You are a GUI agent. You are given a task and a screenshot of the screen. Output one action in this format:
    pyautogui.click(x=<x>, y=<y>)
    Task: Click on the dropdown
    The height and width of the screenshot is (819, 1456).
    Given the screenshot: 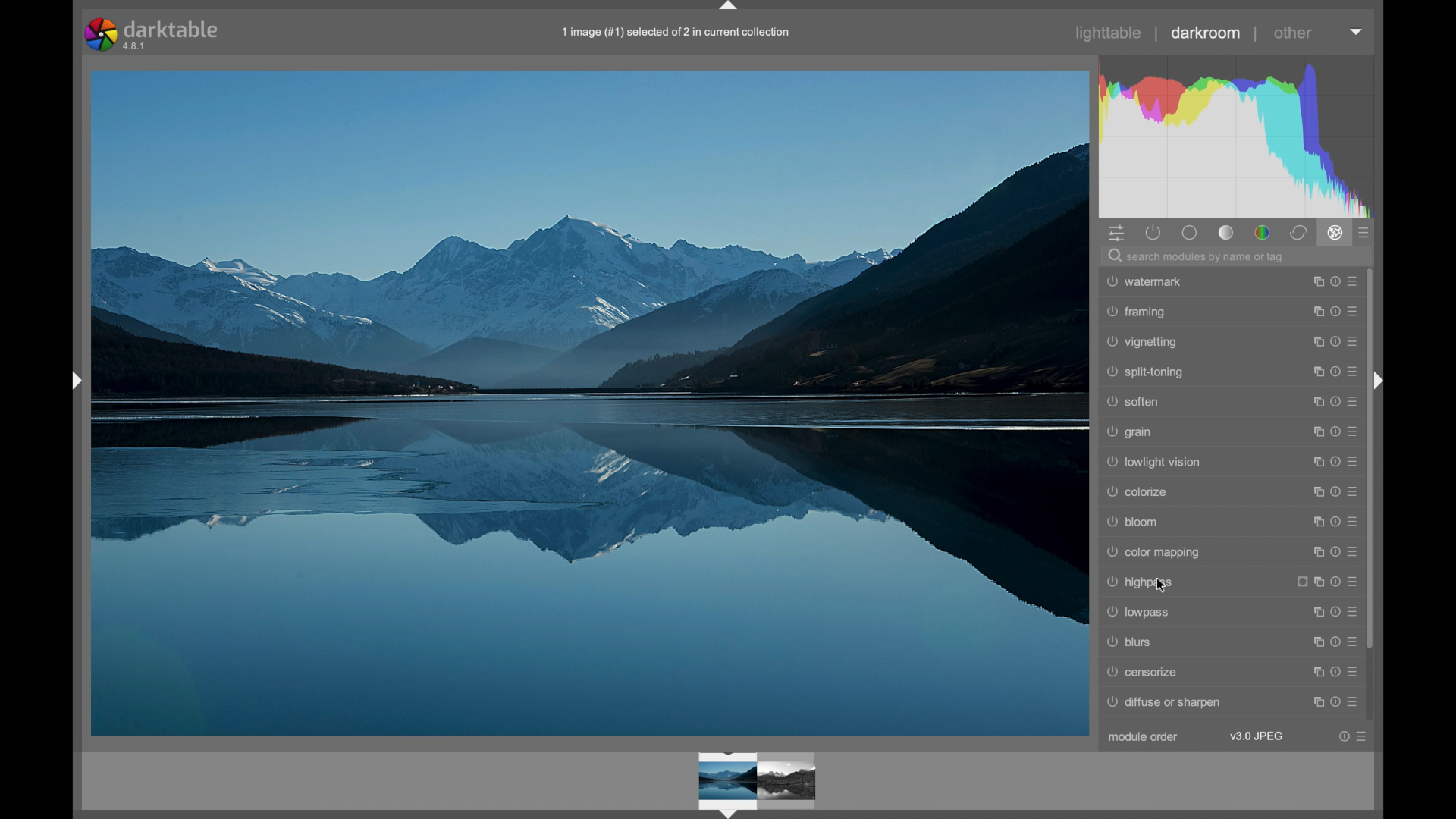 What is the action you would take?
    pyautogui.click(x=1357, y=32)
    